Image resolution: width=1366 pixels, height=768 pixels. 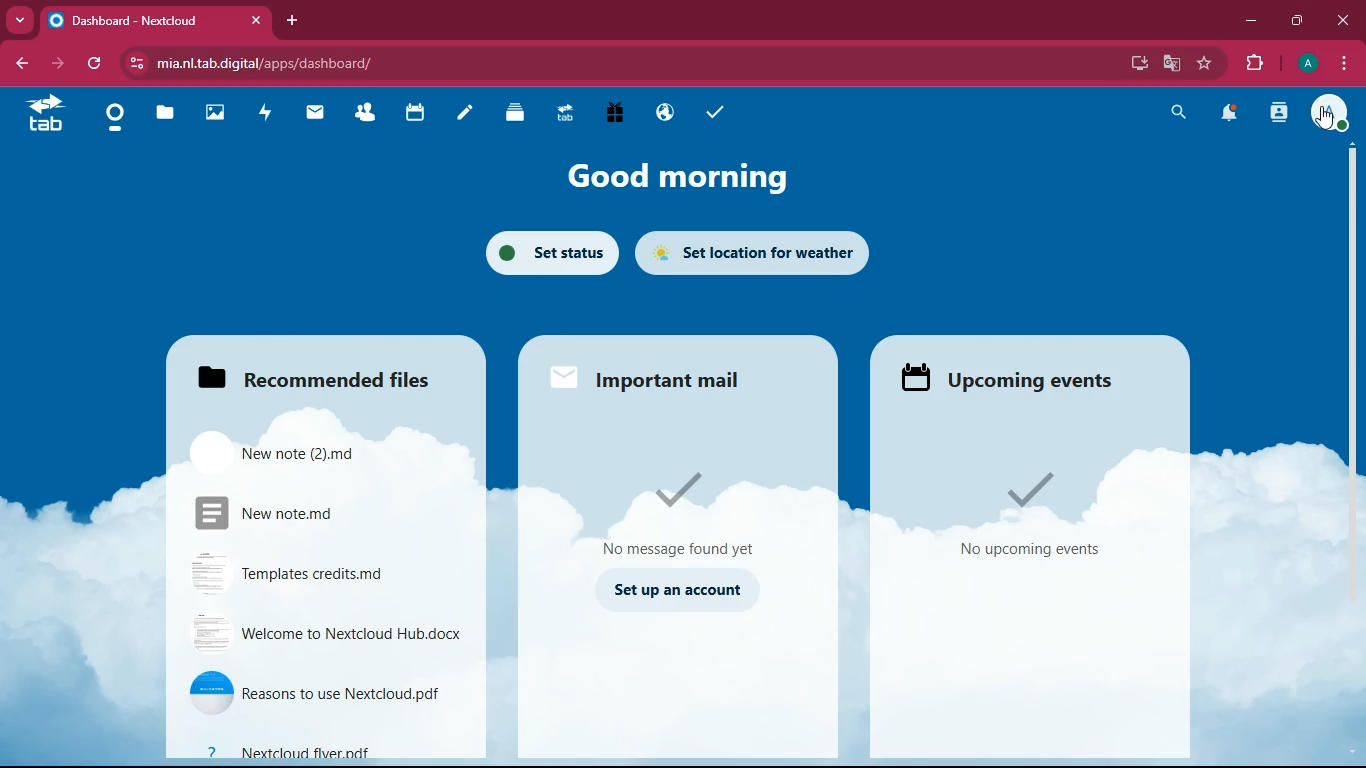 What do you see at coordinates (318, 694) in the screenshot?
I see `file` at bounding box center [318, 694].